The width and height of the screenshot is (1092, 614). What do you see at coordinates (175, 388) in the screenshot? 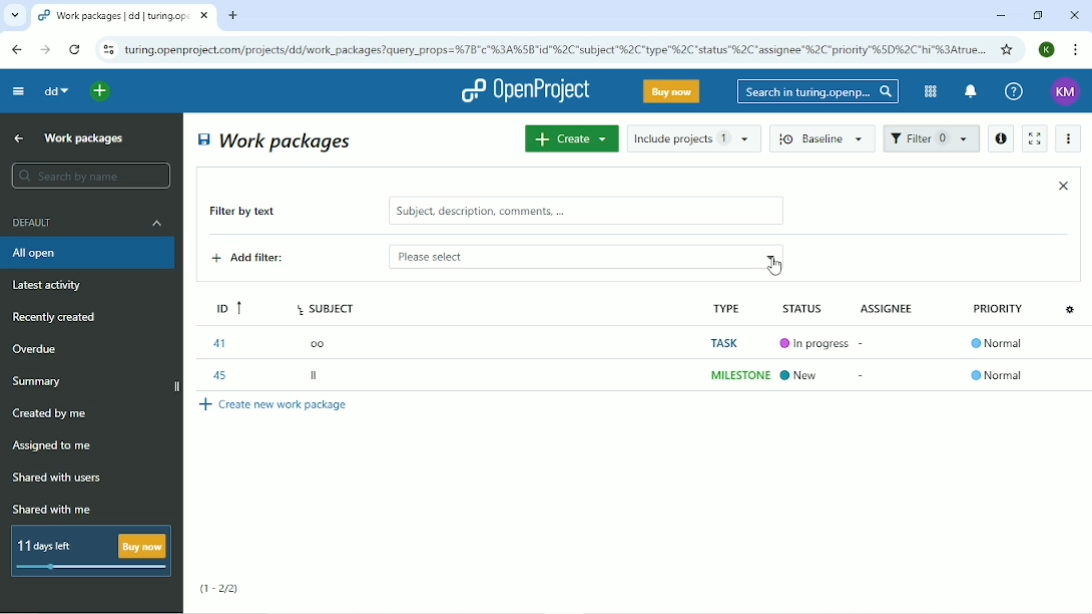
I see `close side bar` at bounding box center [175, 388].